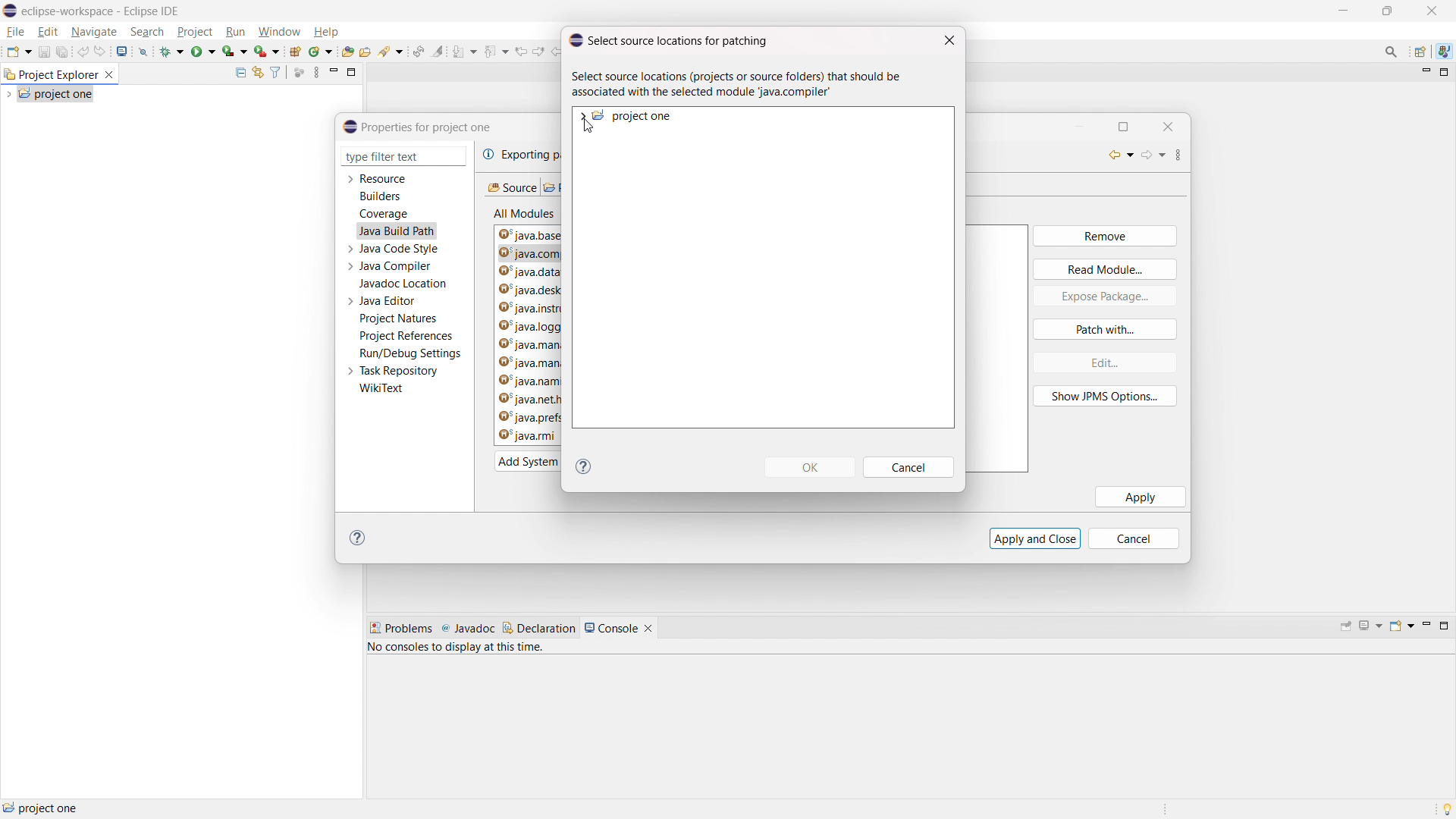 The width and height of the screenshot is (1456, 819). I want to click on java compiler, so click(397, 266).